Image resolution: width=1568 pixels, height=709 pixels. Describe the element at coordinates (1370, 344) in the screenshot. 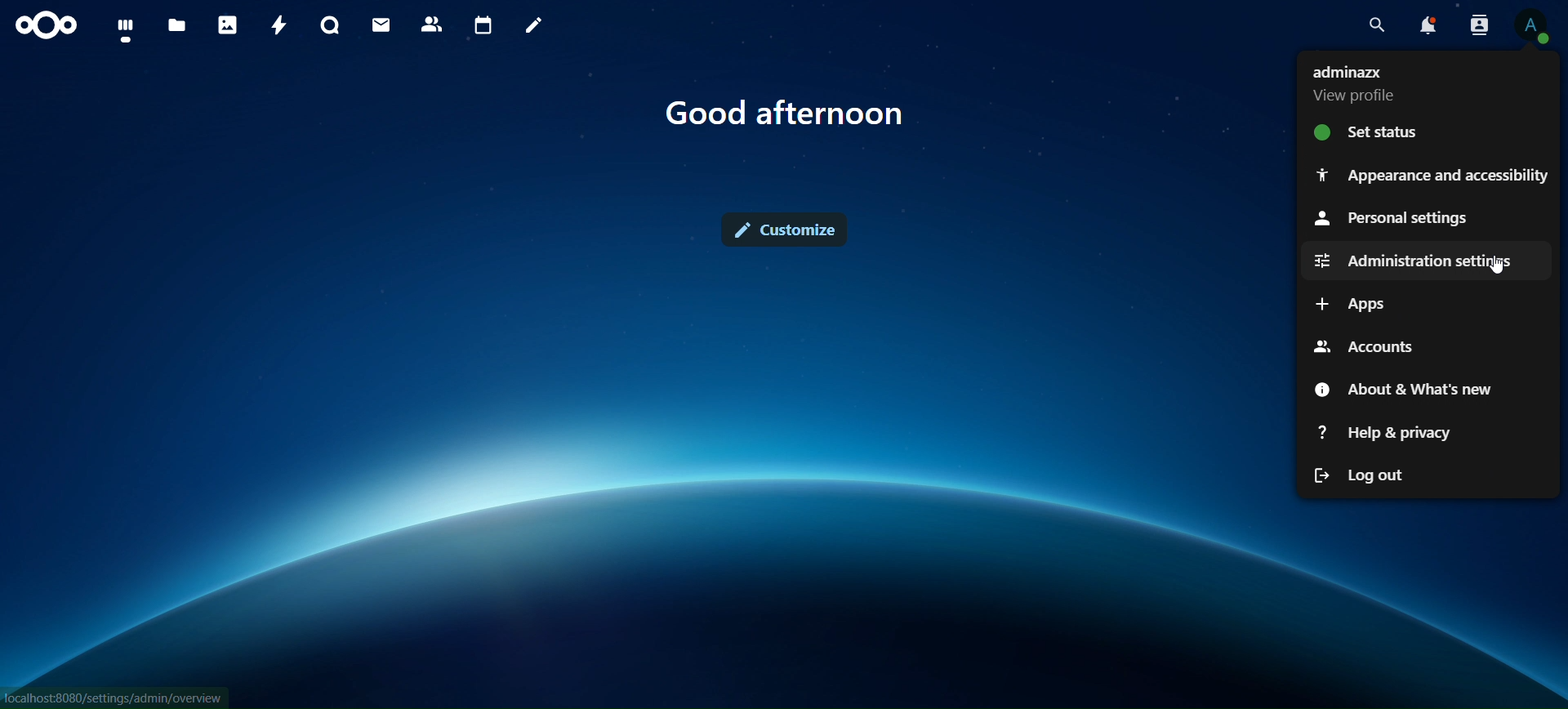

I see `accounts` at that location.